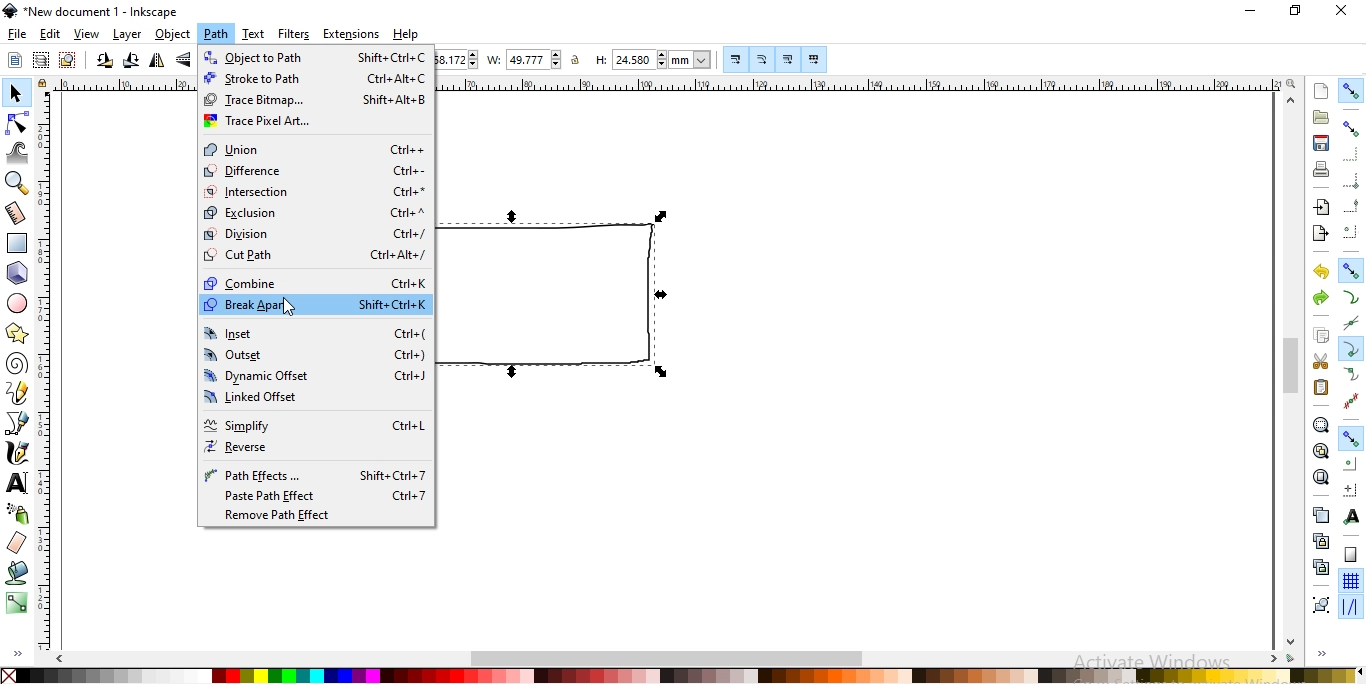  I want to click on Cursor, so click(293, 309).